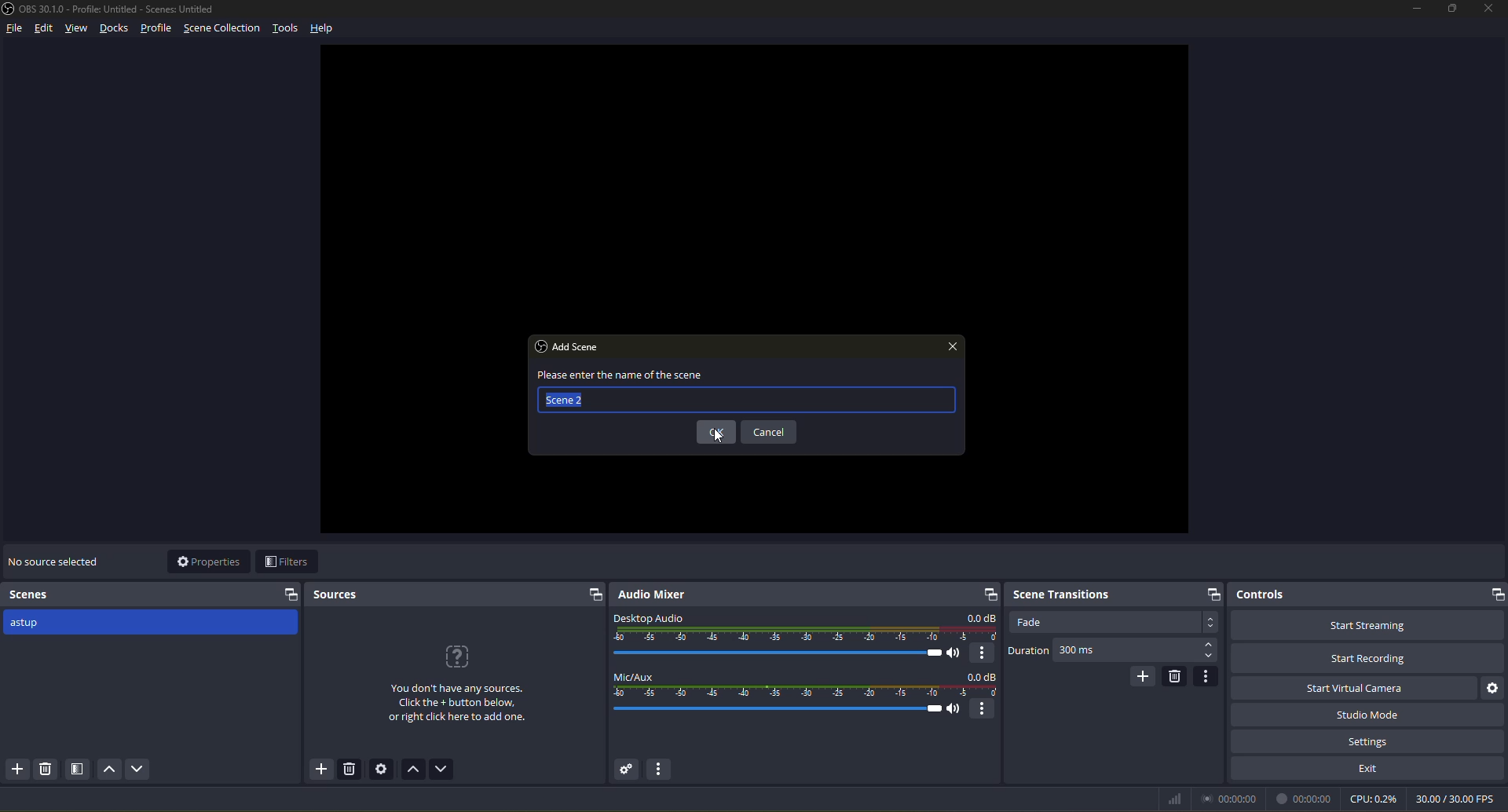 The image size is (1508, 812). I want to click on configure virtual camera, so click(1495, 687).